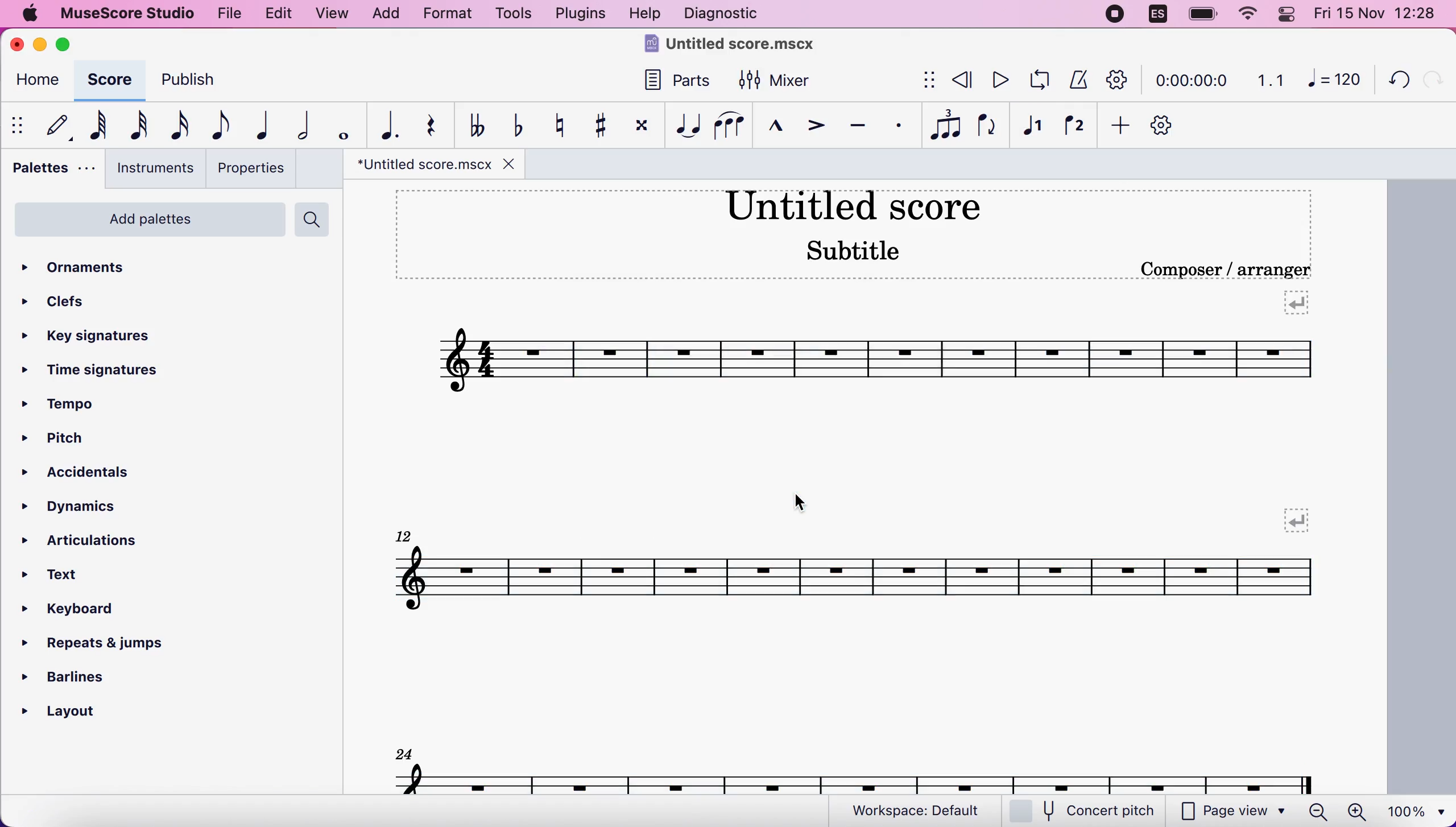 This screenshot has width=1456, height=827. I want to click on tools, so click(512, 15).